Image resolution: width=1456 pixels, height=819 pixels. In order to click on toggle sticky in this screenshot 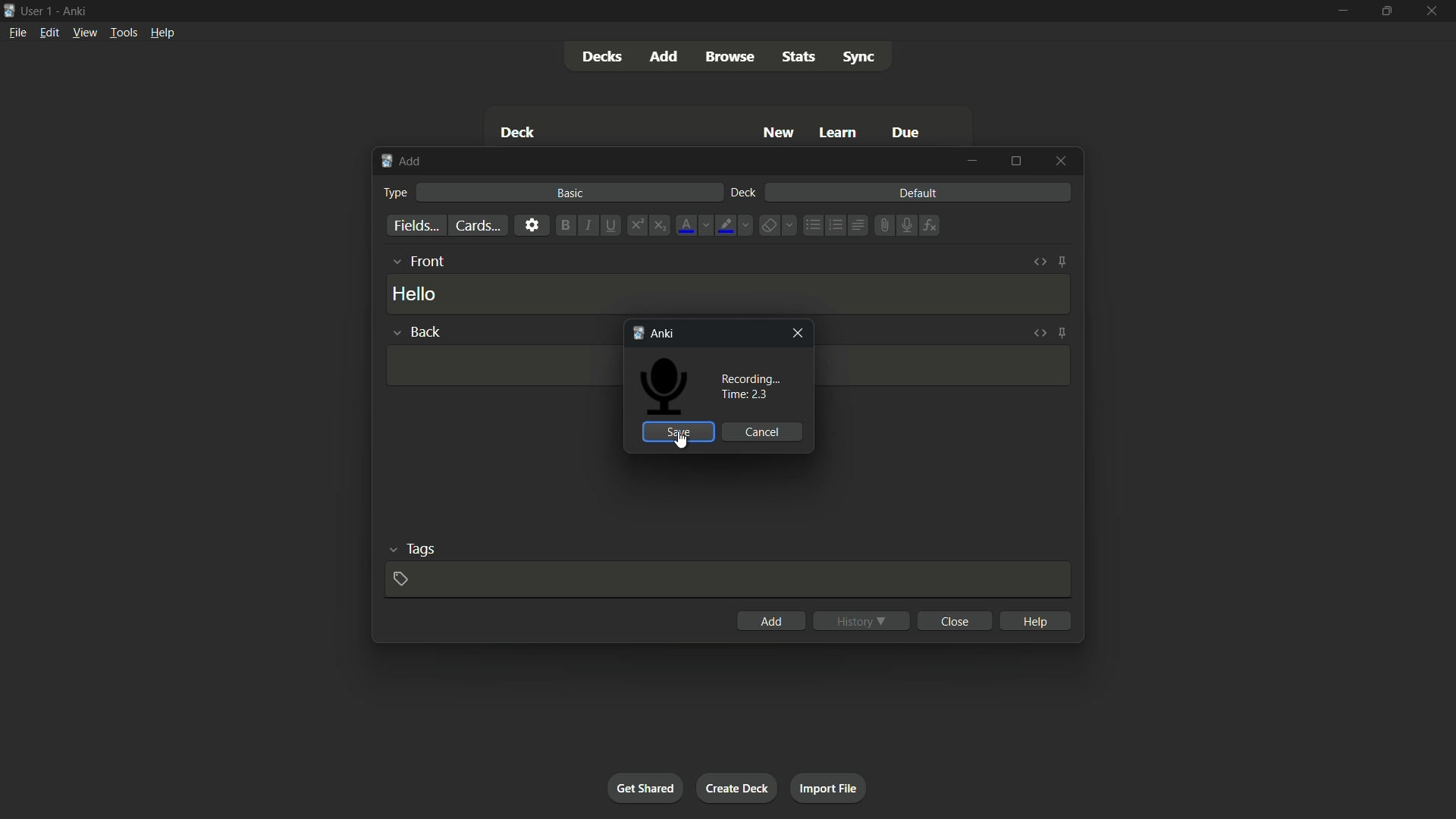, I will do `click(1063, 262)`.